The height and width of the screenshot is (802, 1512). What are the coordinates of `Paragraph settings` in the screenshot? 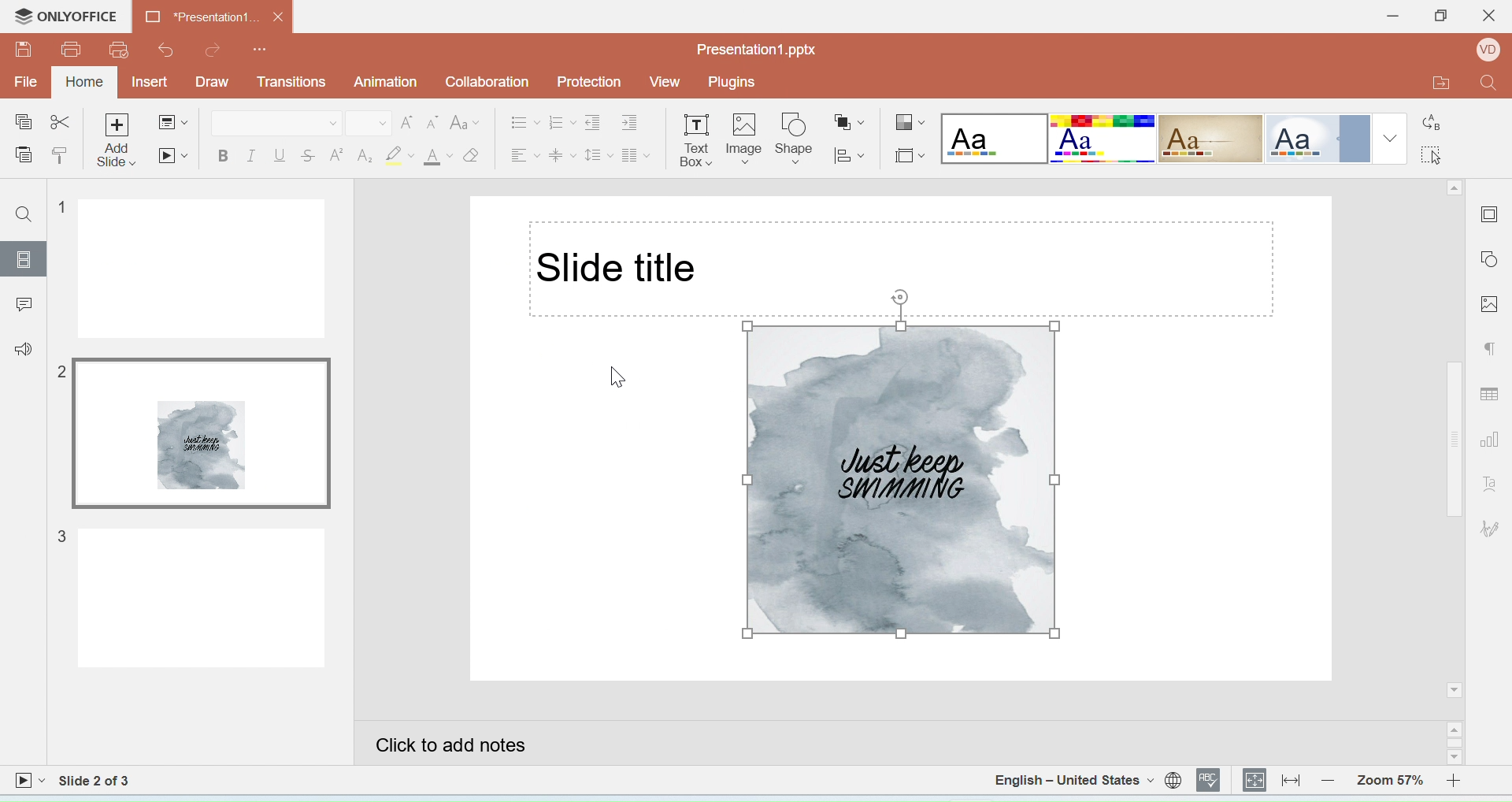 It's located at (1492, 351).